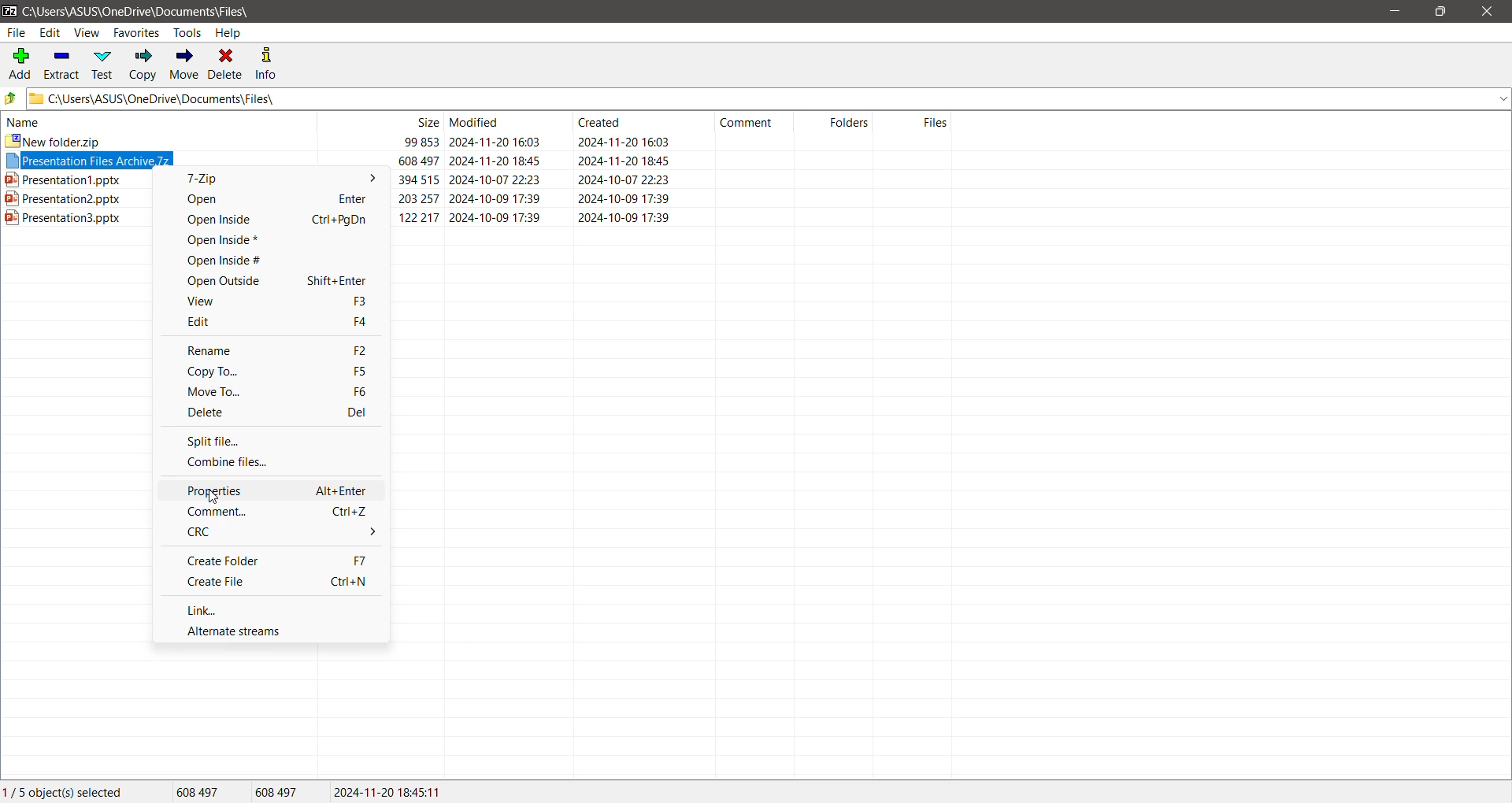 The image size is (1512, 803). I want to click on Restore Down, so click(1446, 11).